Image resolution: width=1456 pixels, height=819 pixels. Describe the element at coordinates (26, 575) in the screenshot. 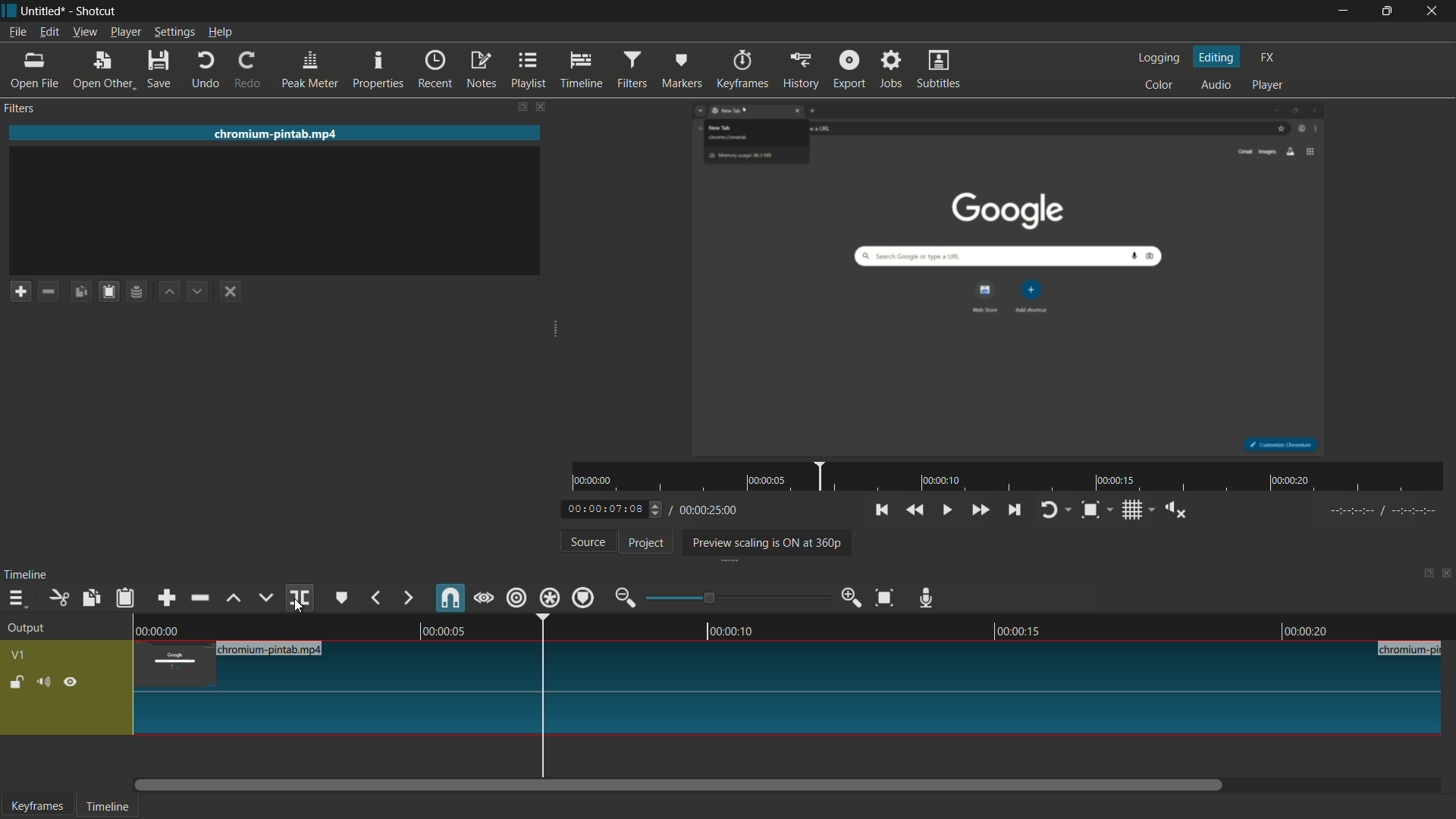

I see `timeline` at that location.